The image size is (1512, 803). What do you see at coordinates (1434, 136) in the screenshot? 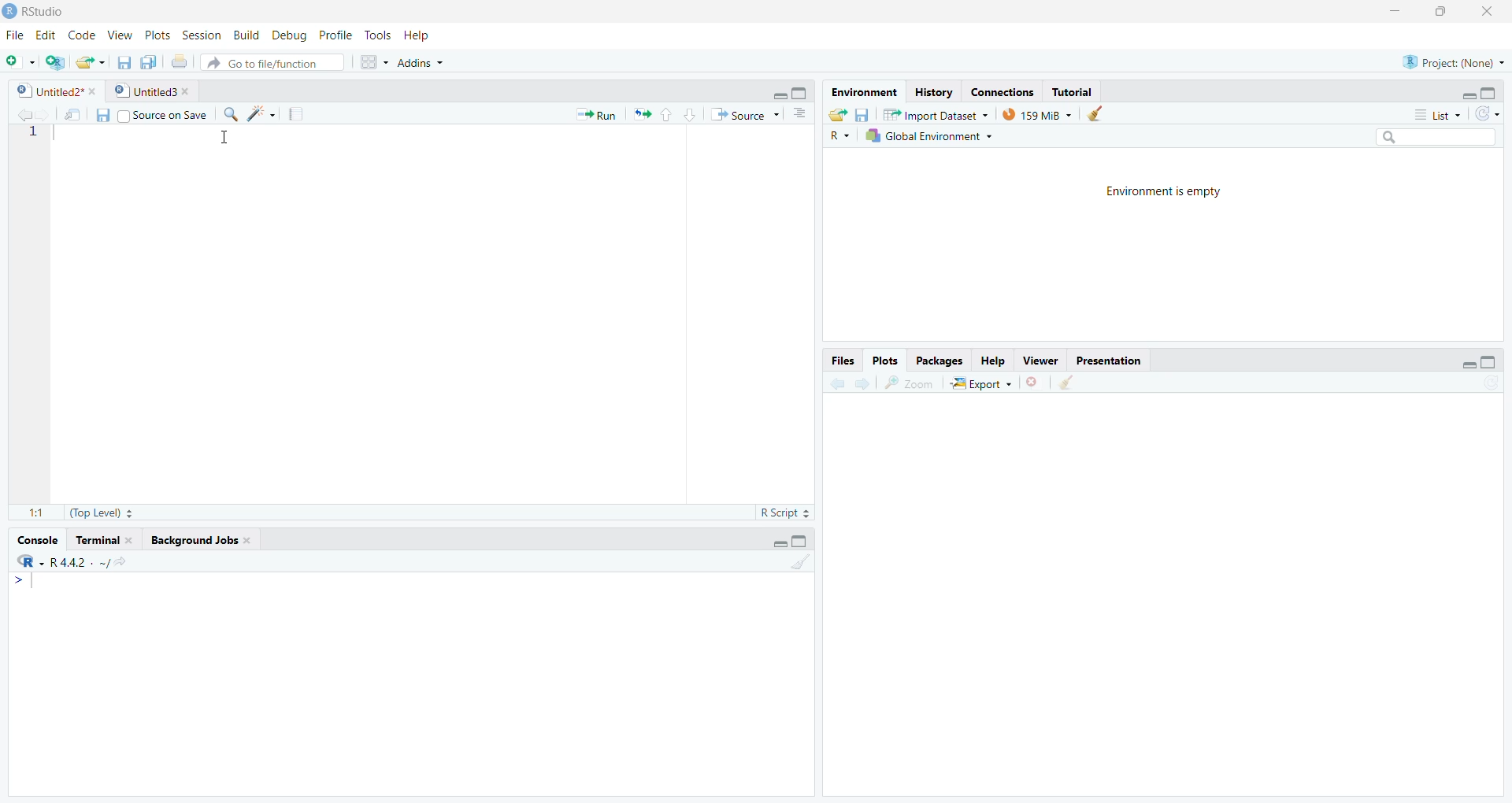
I see `Search` at bounding box center [1434, 136].